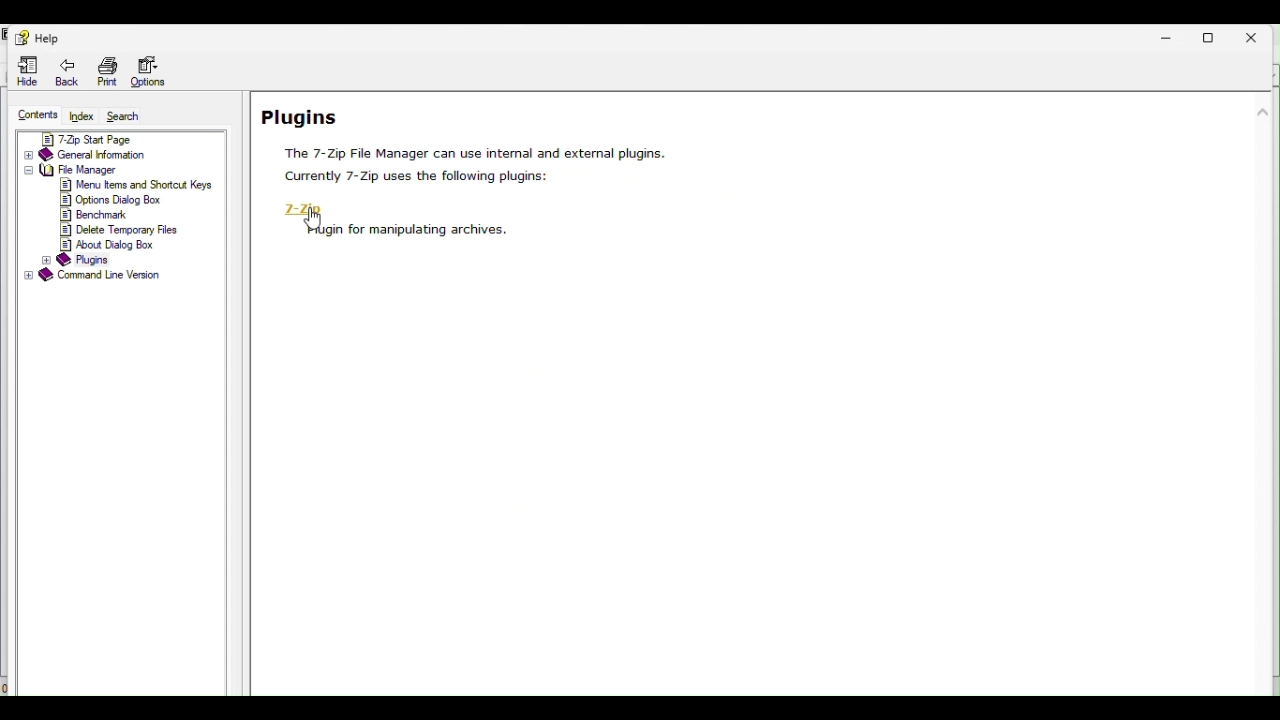  I want to click on Search, so click(130, 116).